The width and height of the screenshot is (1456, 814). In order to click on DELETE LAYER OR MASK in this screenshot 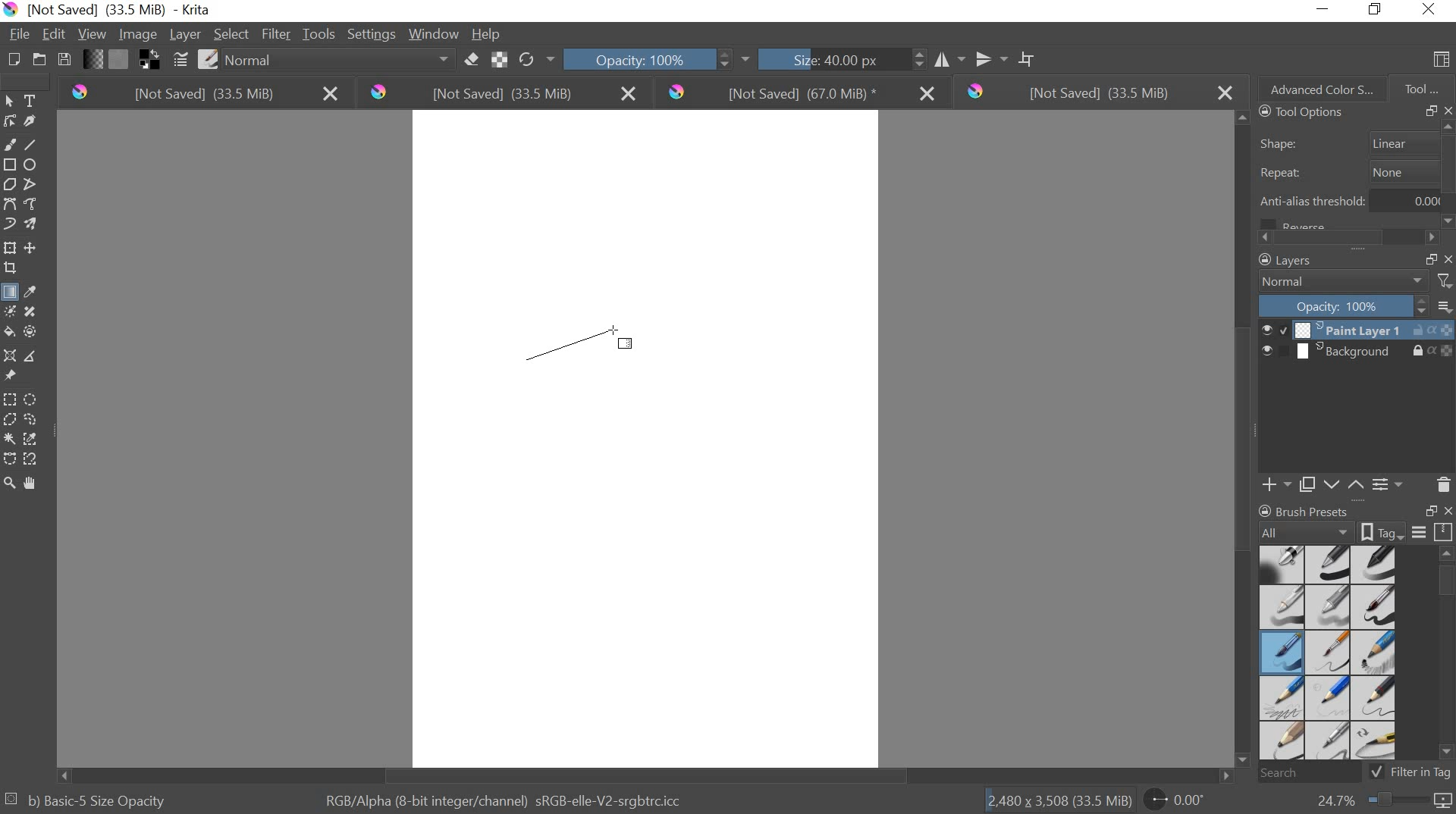, I will do `click(1443, 484)`.